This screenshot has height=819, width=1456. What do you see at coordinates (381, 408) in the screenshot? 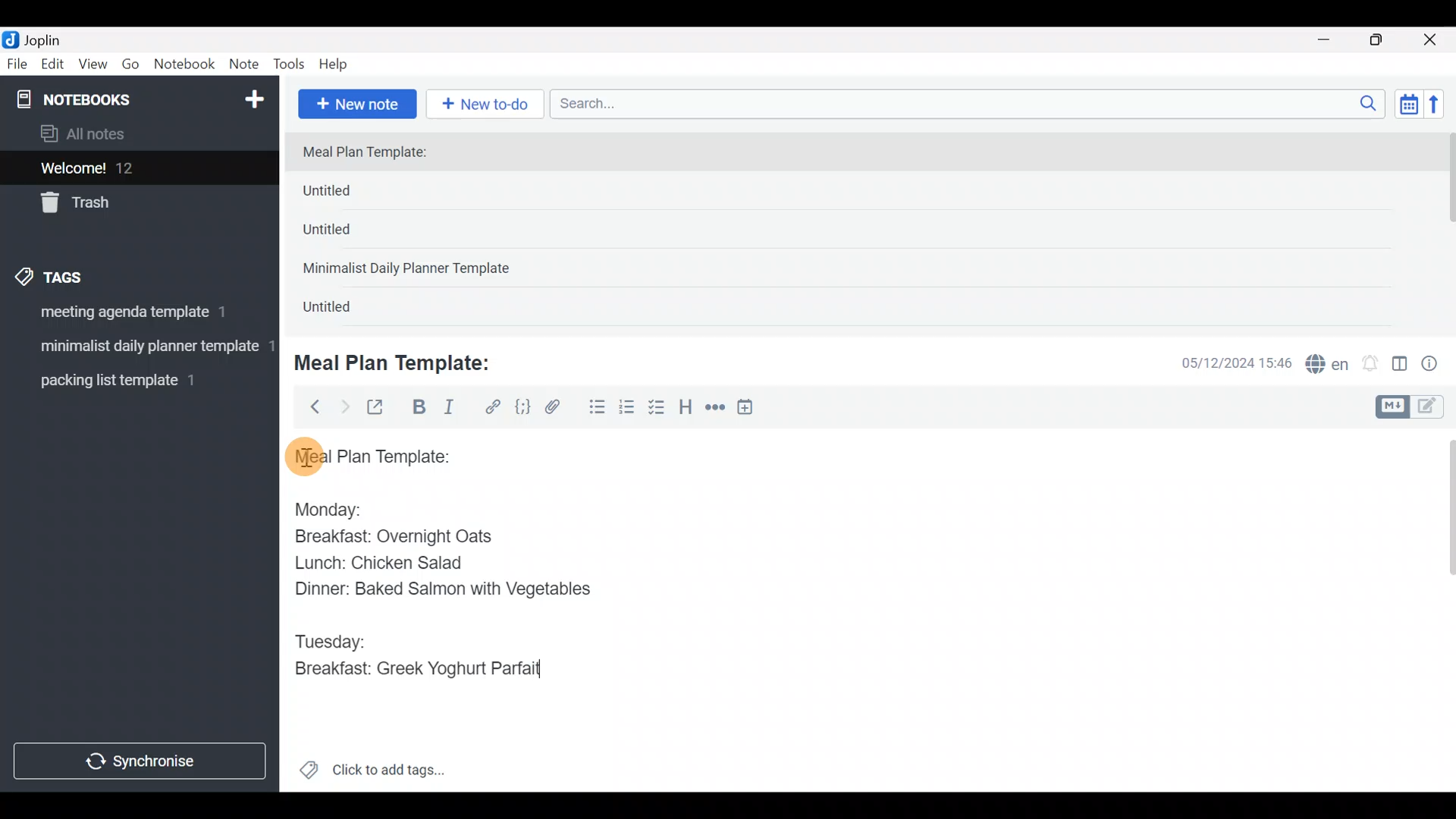
I see `Toggle external editing` at bounding box center [381, 408].